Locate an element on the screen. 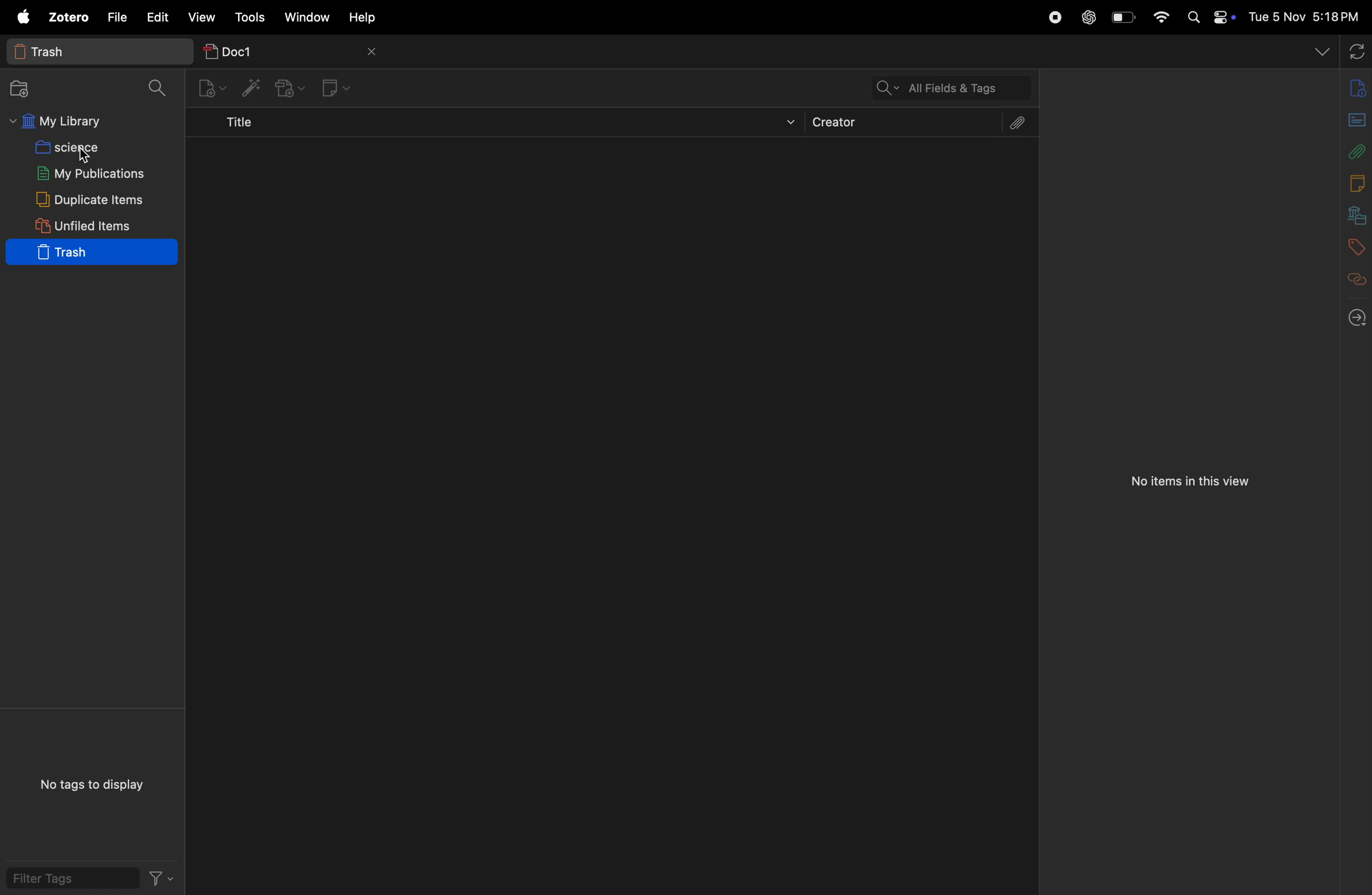  file is located at coordinates (117, 17).